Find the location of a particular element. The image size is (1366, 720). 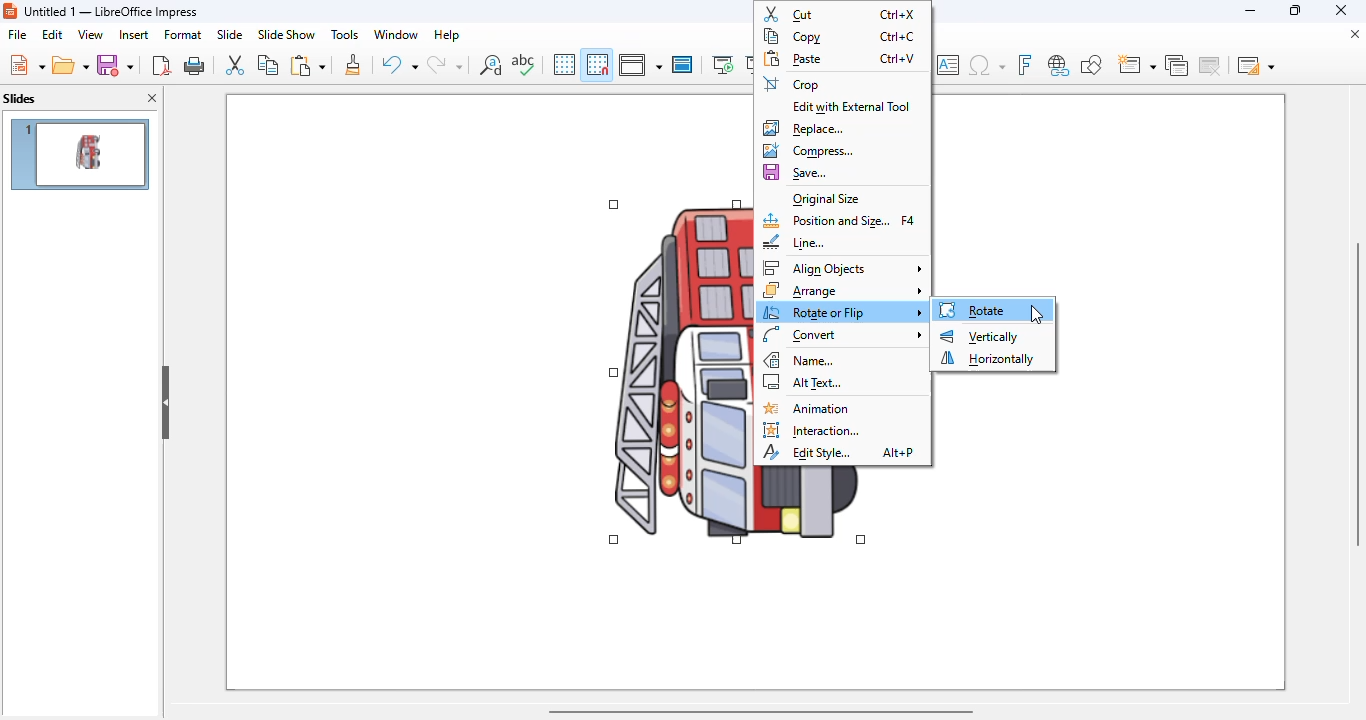

save is located at coordinates (797, 172).